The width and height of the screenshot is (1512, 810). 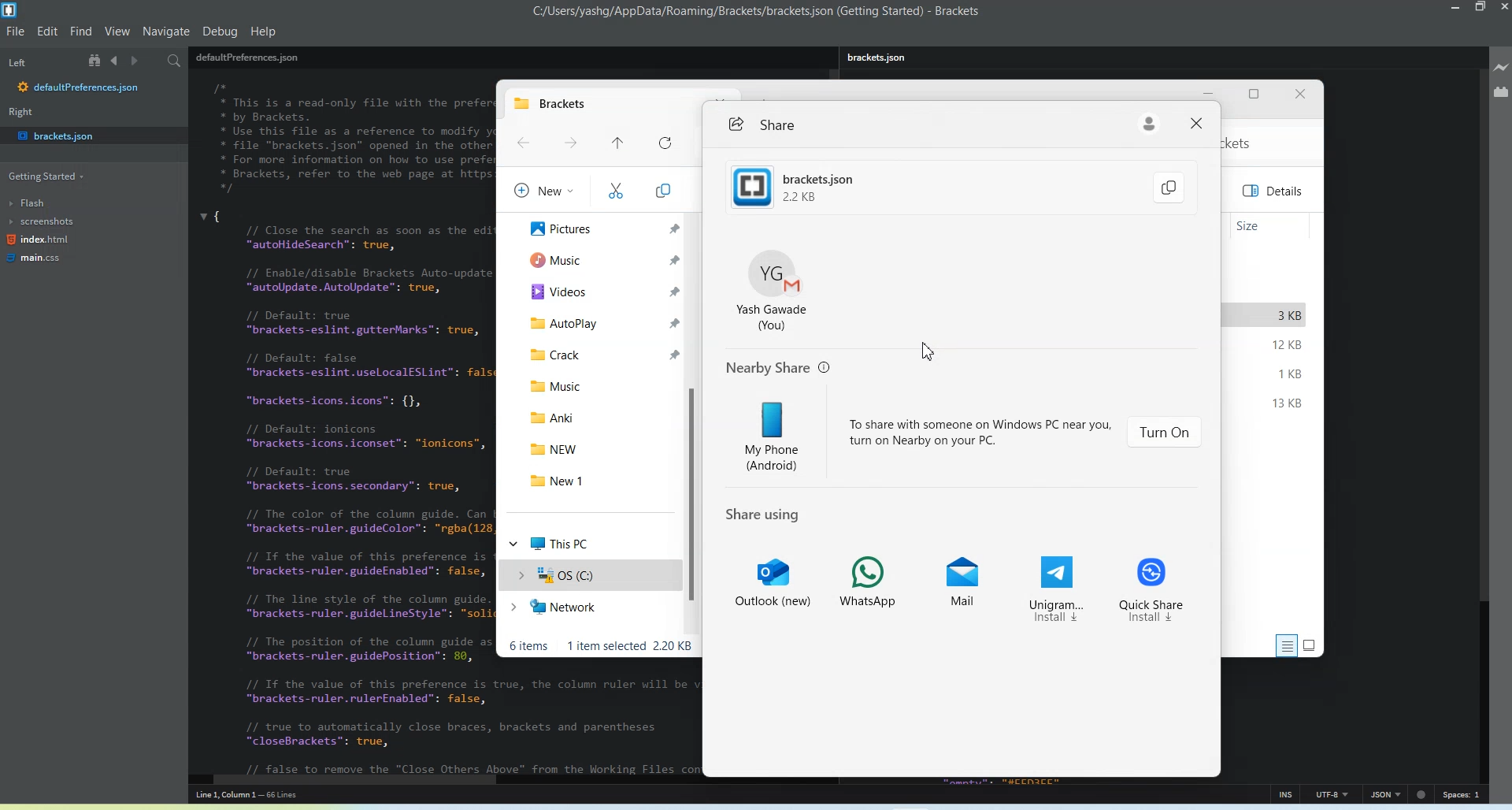 I want to click on Right window, so click(x=24, y=113).